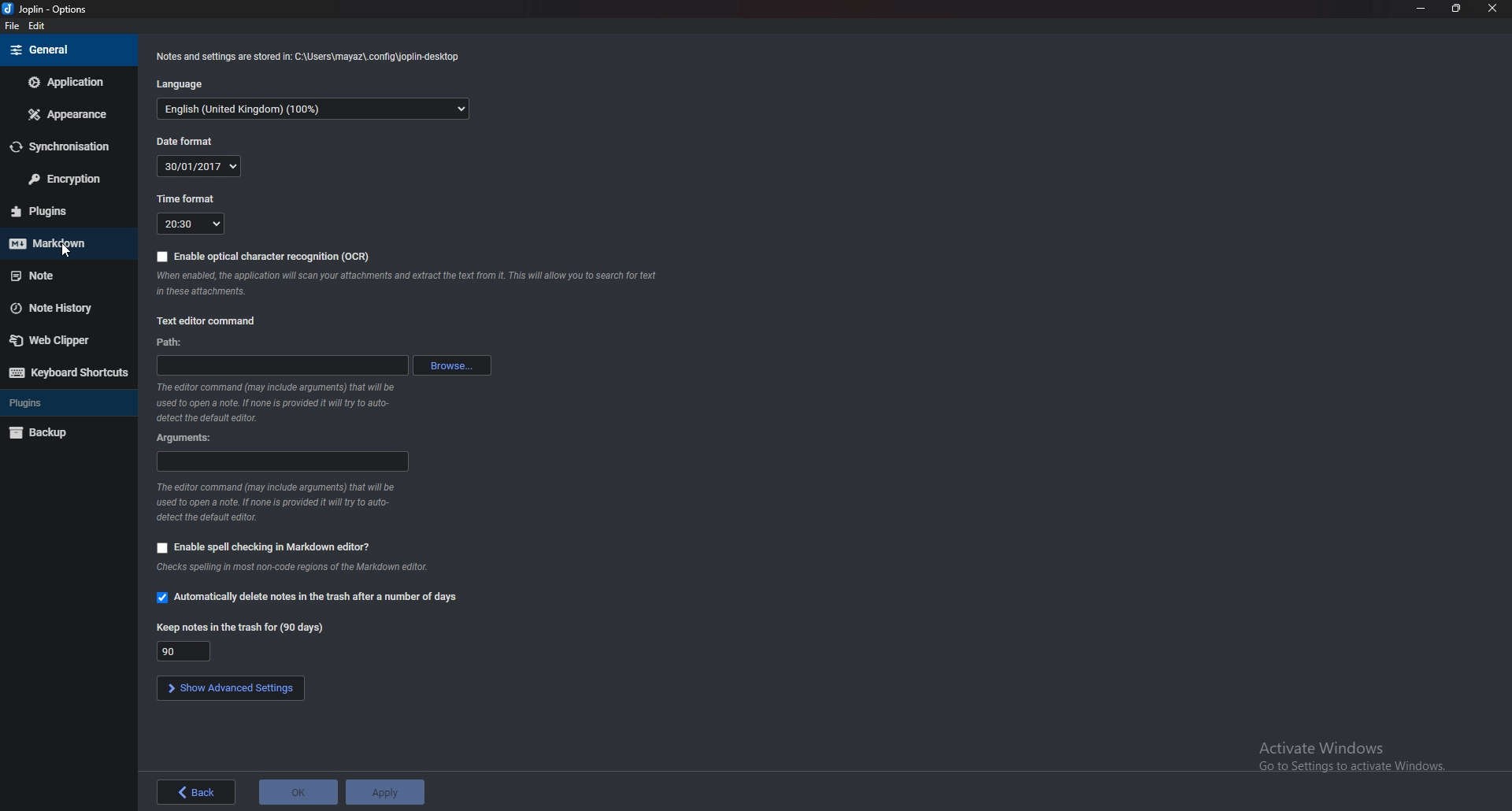 This screenshot has height=811, width=1512. What do you see at coordinates (172, 343) in the screenshot?
I see `path` at bounding box center [172, 343].